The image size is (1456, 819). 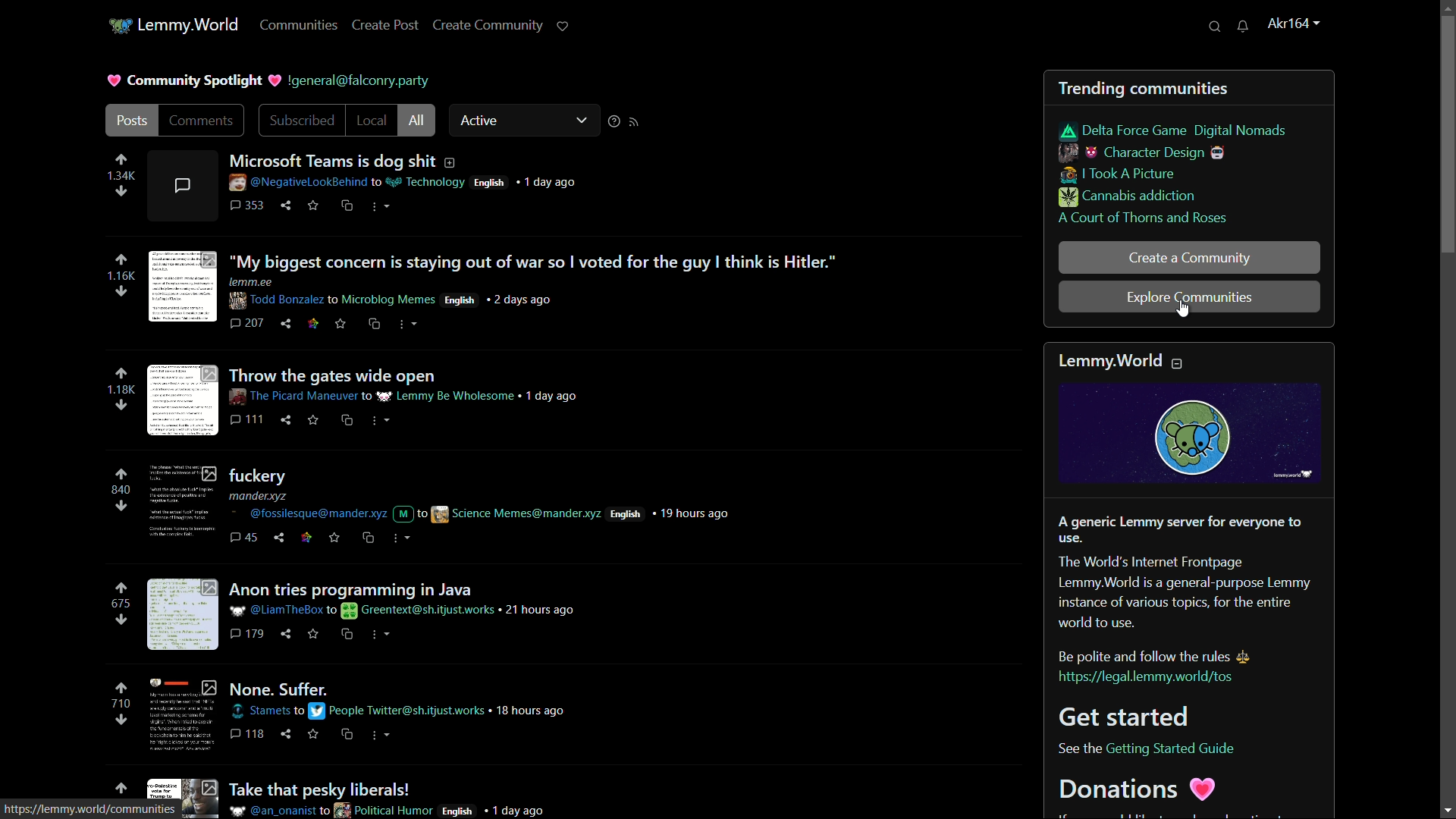 What do you see at coordinates (119, 27) in the screenshot?
I see `app icon` at bounding box center [119, 27].